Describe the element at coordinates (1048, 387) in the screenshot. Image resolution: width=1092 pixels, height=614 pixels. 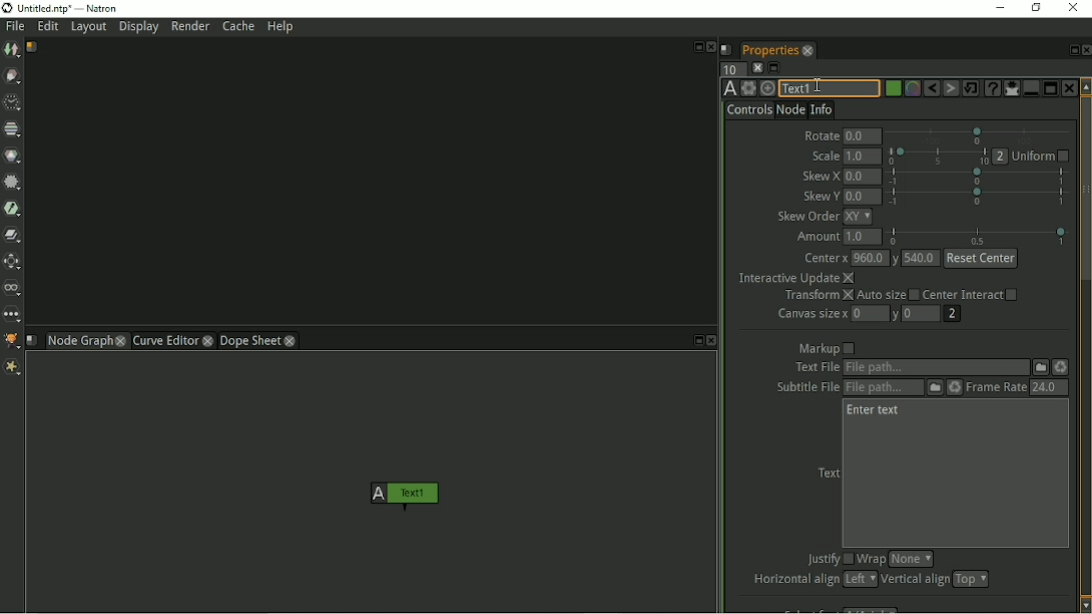
I see `24` at that location.